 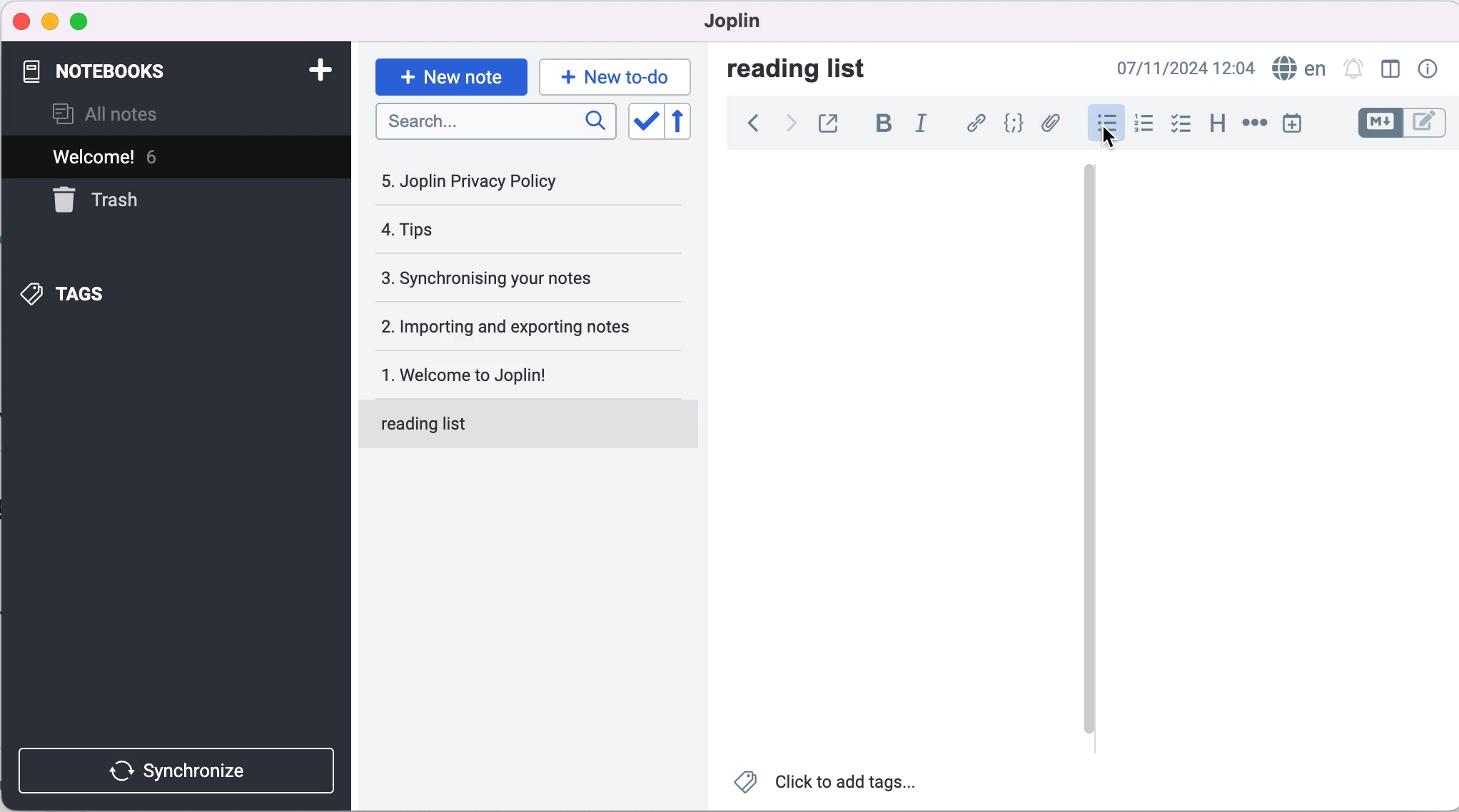 What do you see at coordinates (324, 70) in the screenshot?
I see `add notebook` at bounding box center [324, 70].